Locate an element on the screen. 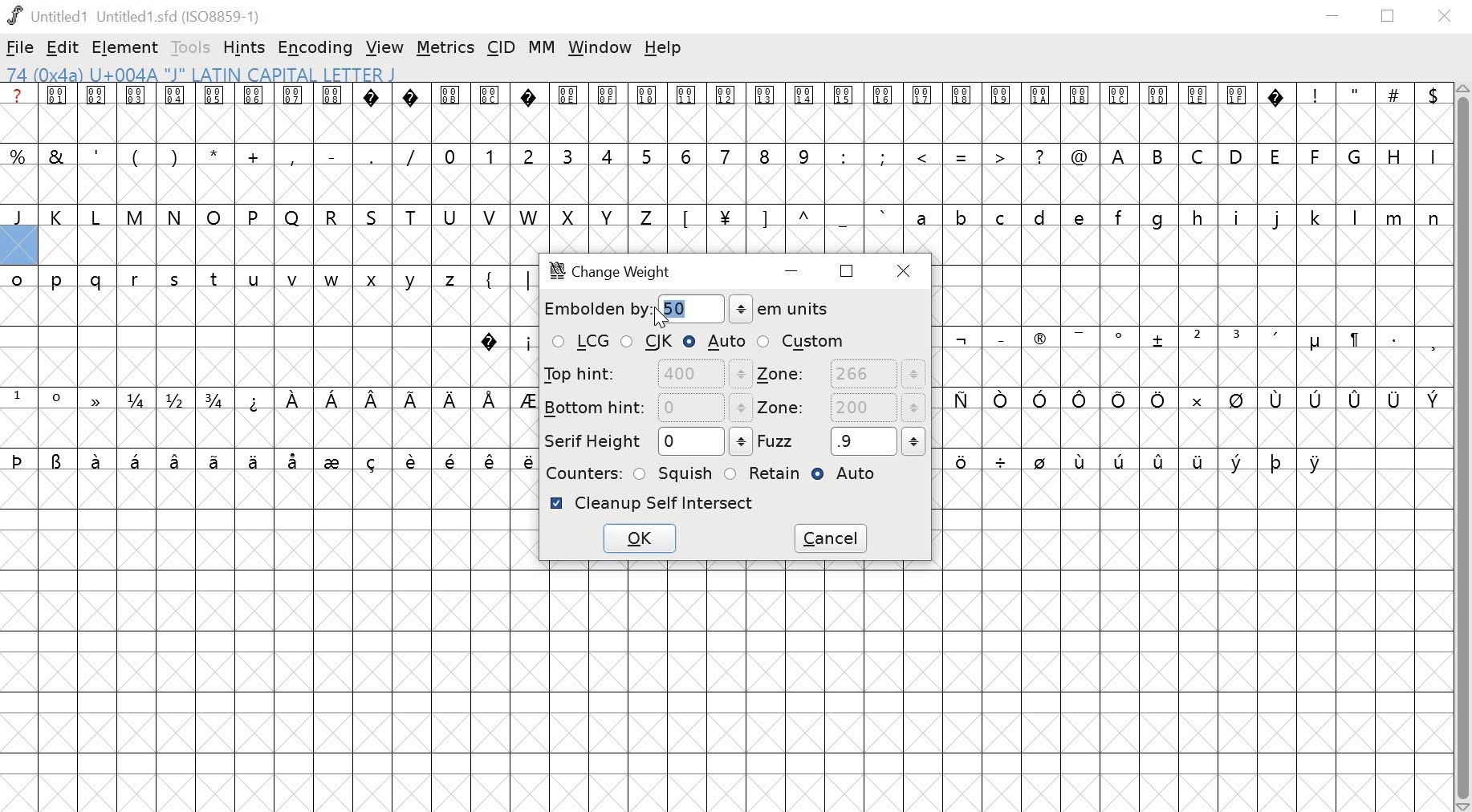 The height and width of the screenshot is (812, 1472). close is located at coordinates (1447, 17).